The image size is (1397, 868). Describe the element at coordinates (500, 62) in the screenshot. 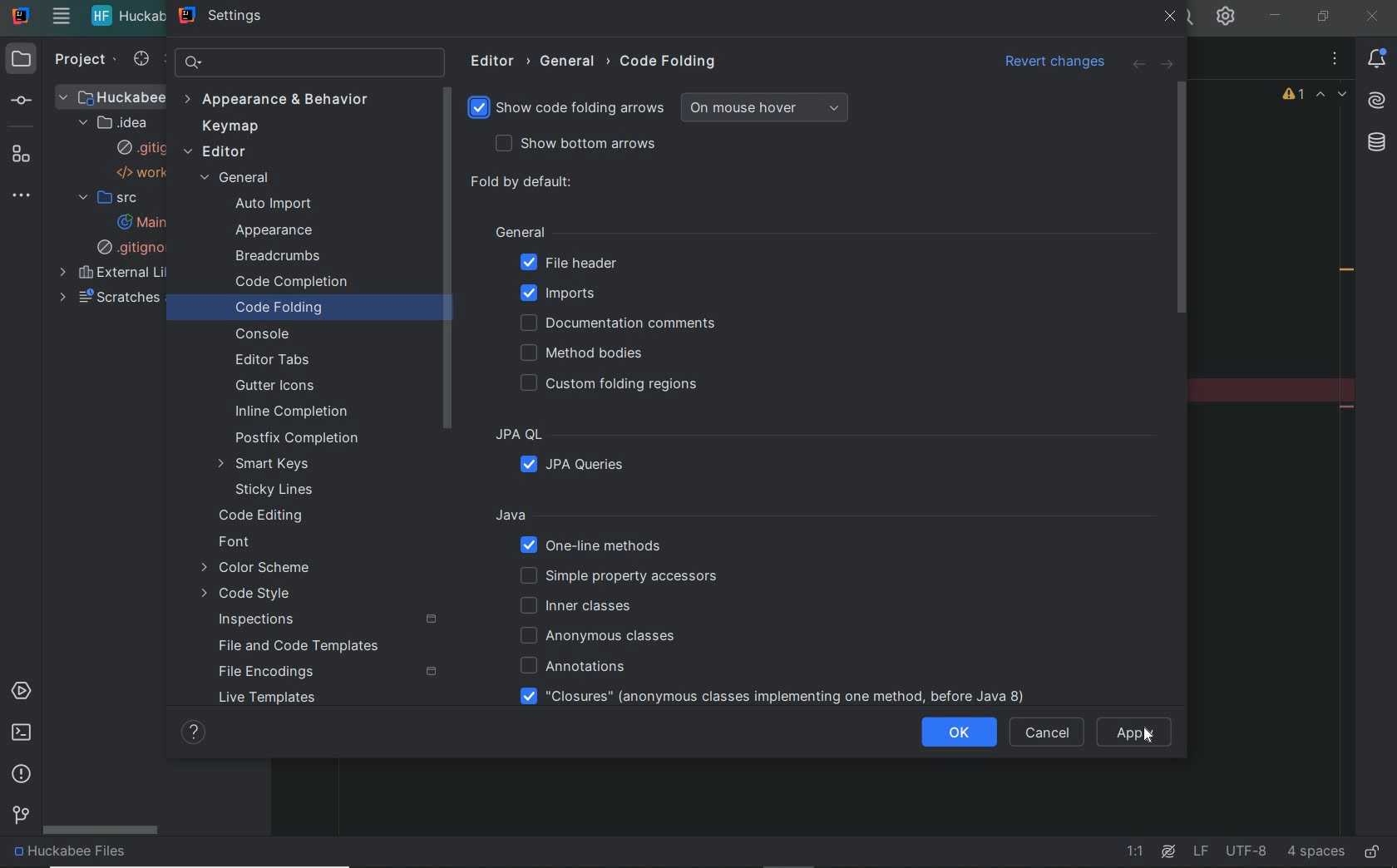

I see `editor` at that location.